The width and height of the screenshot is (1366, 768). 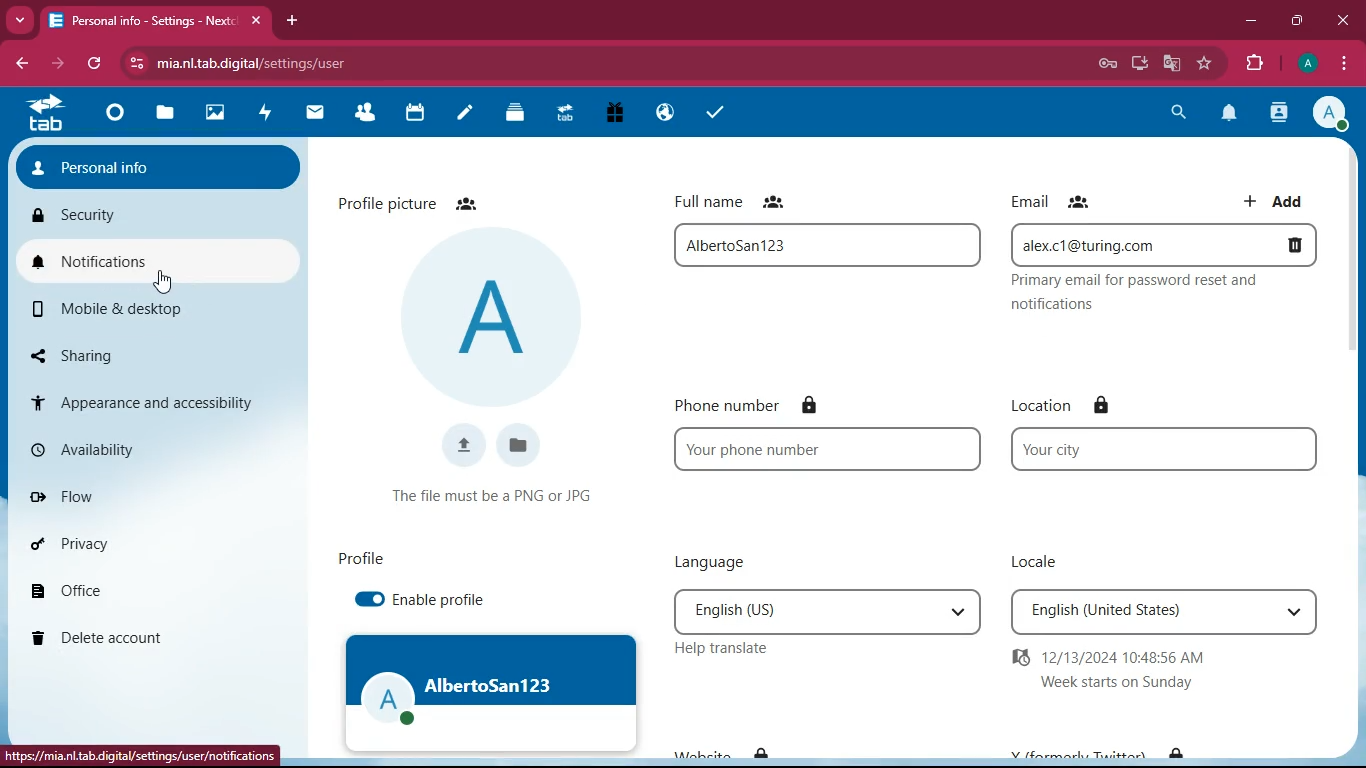 What do you see at coordinates (157, 312) in the screenshot?
I see `mobile` at bounding box center [157, 312].